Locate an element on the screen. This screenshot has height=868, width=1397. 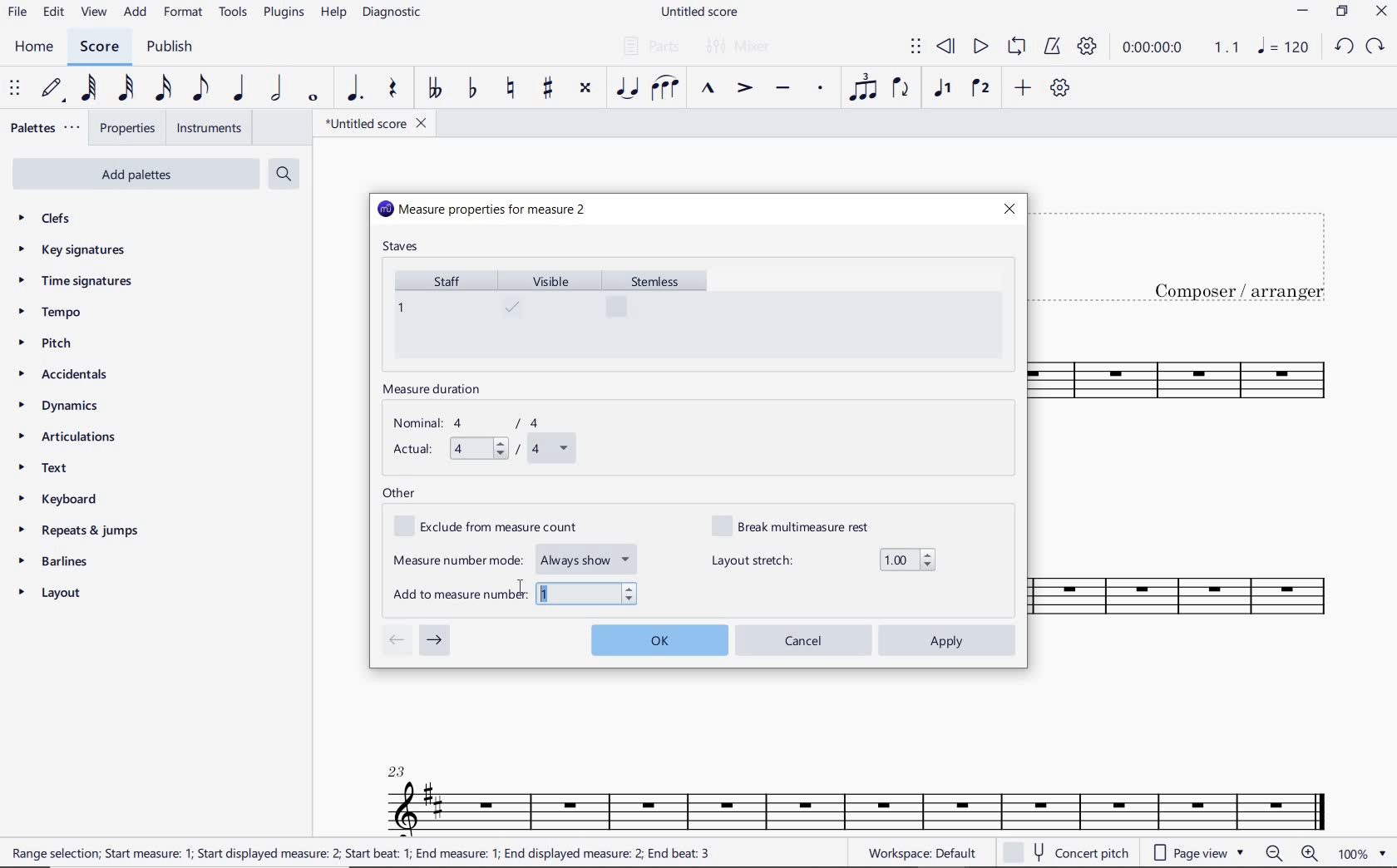
measure properties for measure 2 is located at coordinates (483, 210).